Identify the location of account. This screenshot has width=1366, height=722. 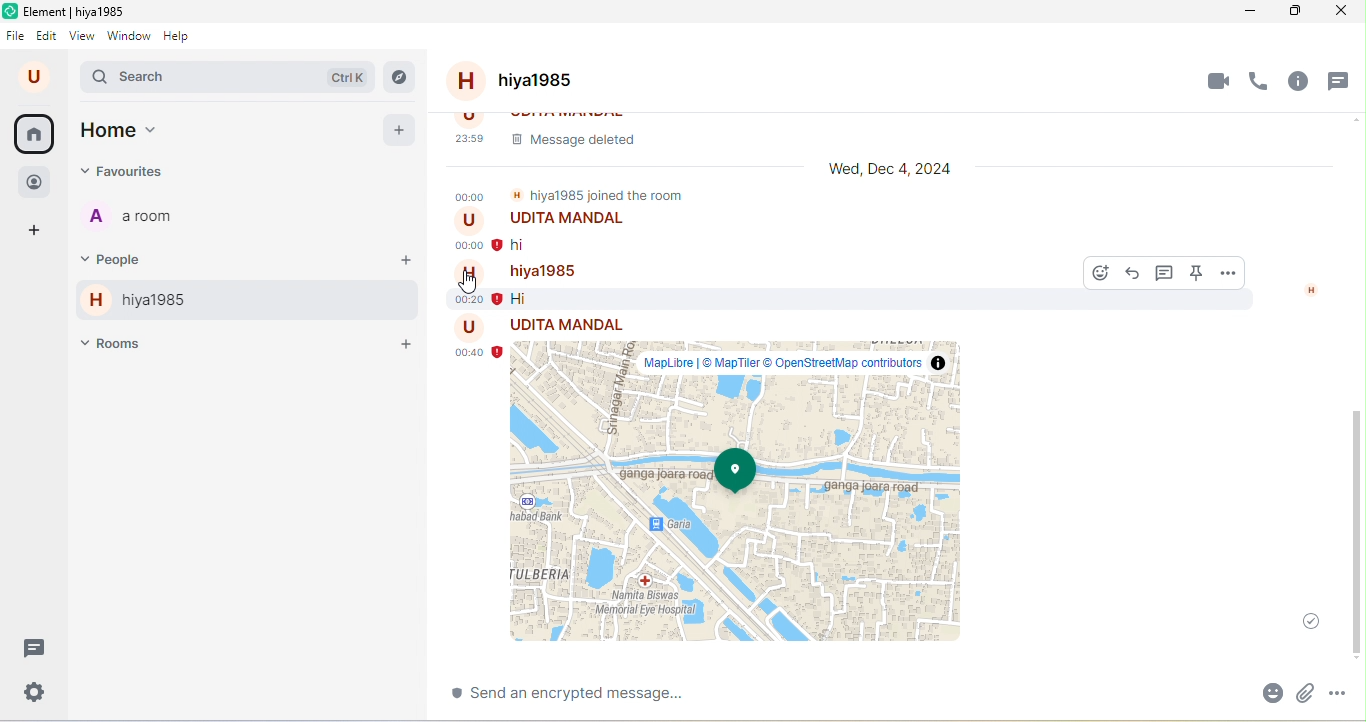
(34, 78).